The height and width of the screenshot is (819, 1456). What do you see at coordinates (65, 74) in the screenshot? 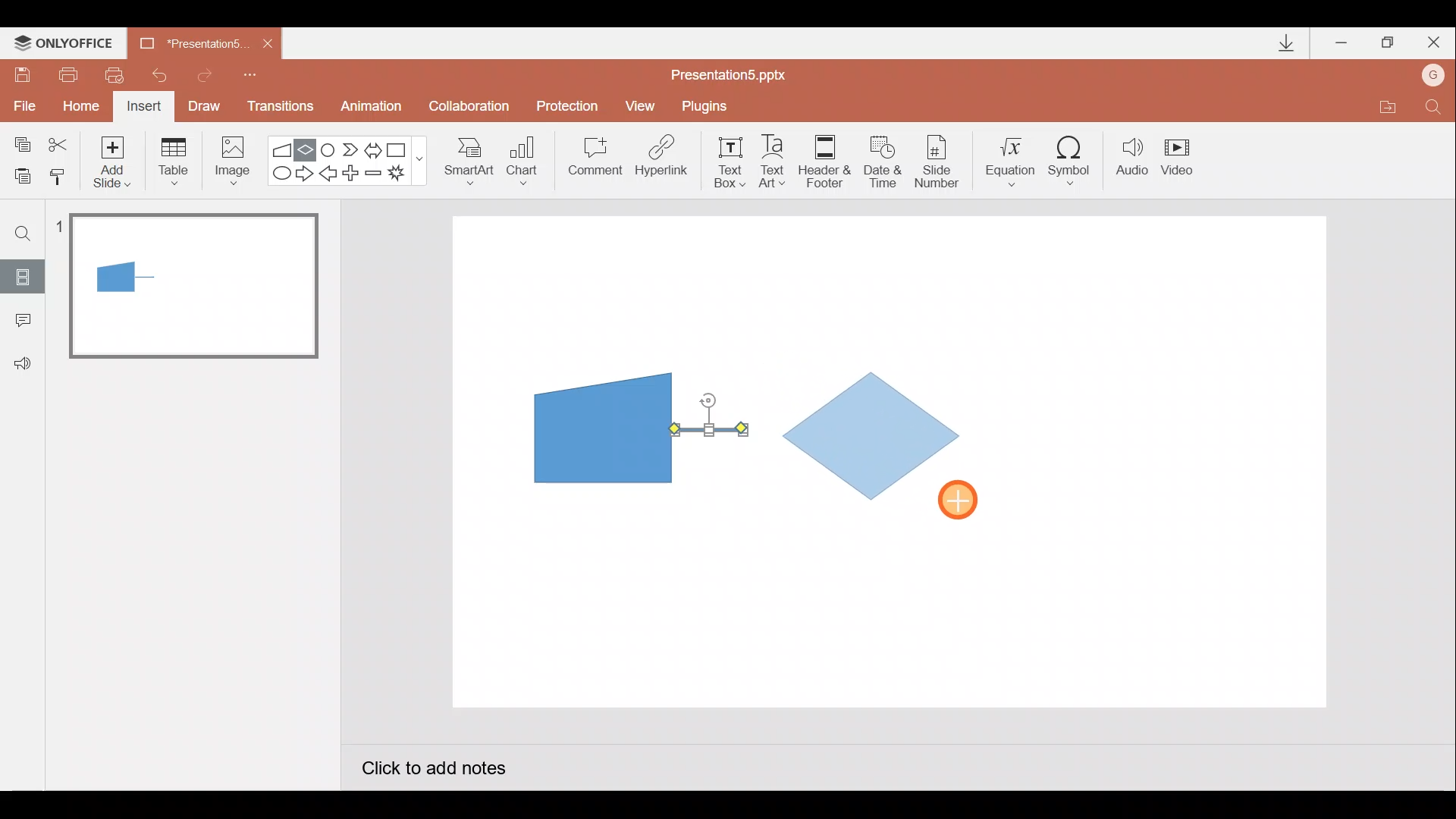
I see `Print file` at bounding box center [65, 74].